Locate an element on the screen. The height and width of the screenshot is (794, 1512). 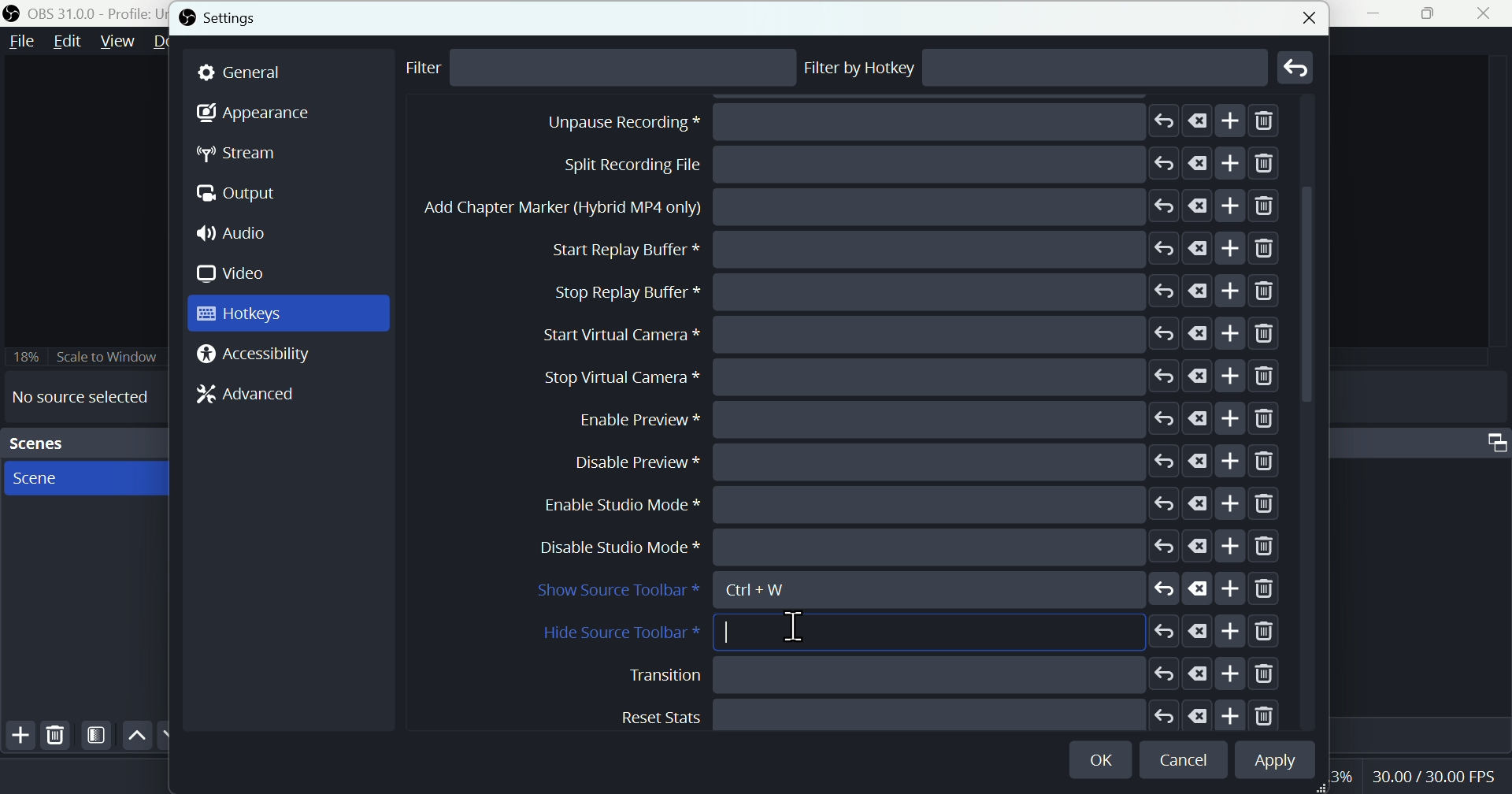
Unpause recording is located at coordinates (921, 291).